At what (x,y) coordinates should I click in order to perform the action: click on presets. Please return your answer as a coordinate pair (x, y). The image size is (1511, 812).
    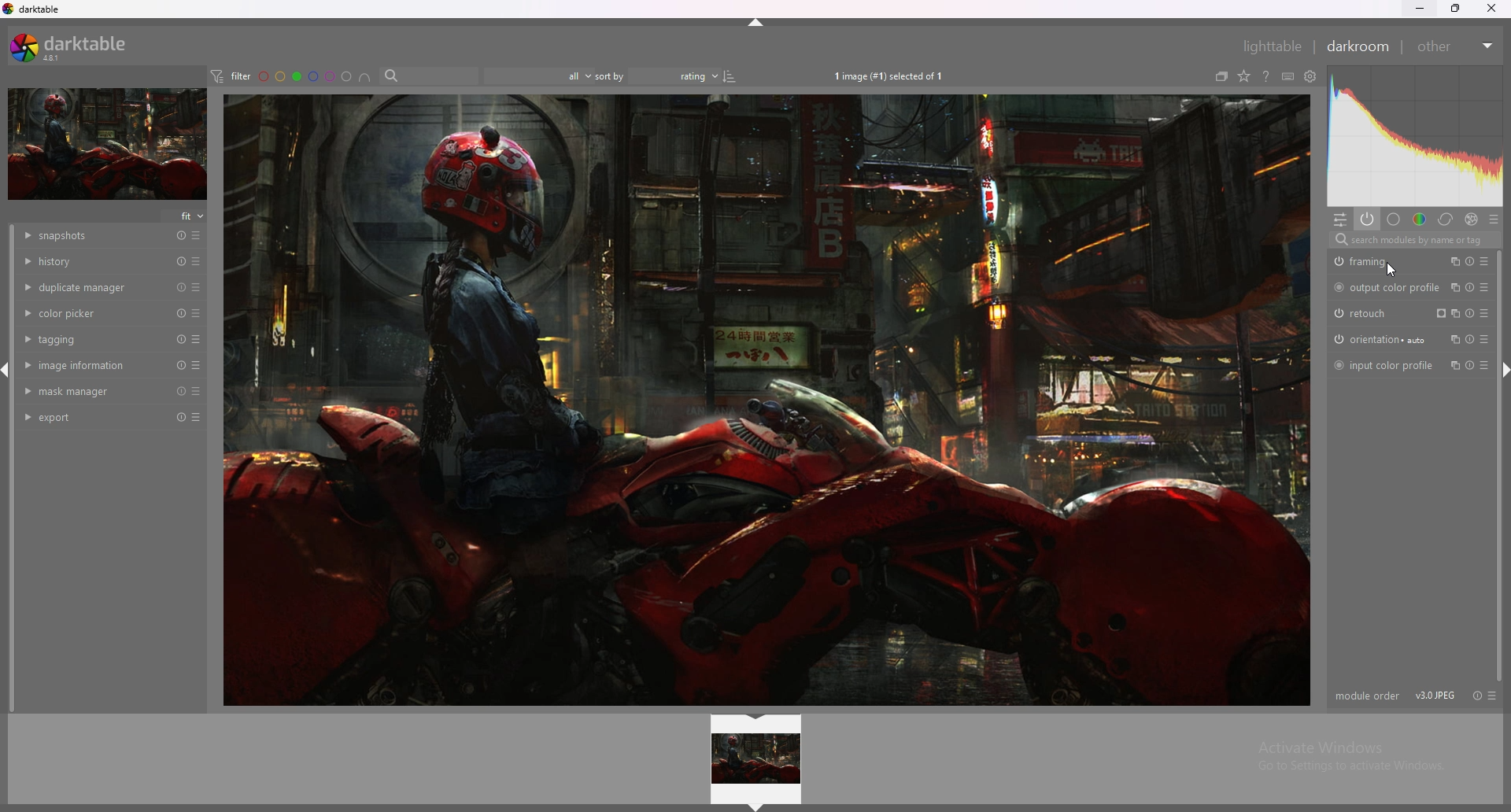
    Looking at the image, I should click on (197, 339).